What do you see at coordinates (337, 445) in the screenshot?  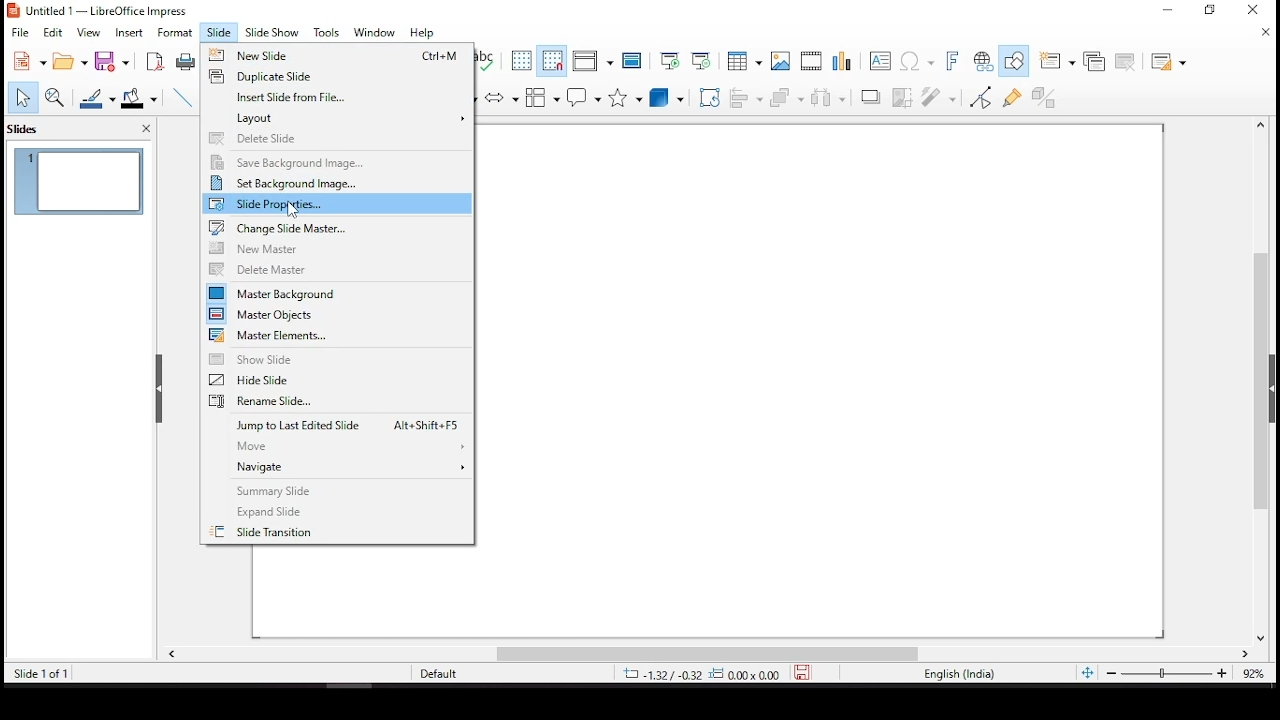 I see `move` at bounding box center [337, 445].